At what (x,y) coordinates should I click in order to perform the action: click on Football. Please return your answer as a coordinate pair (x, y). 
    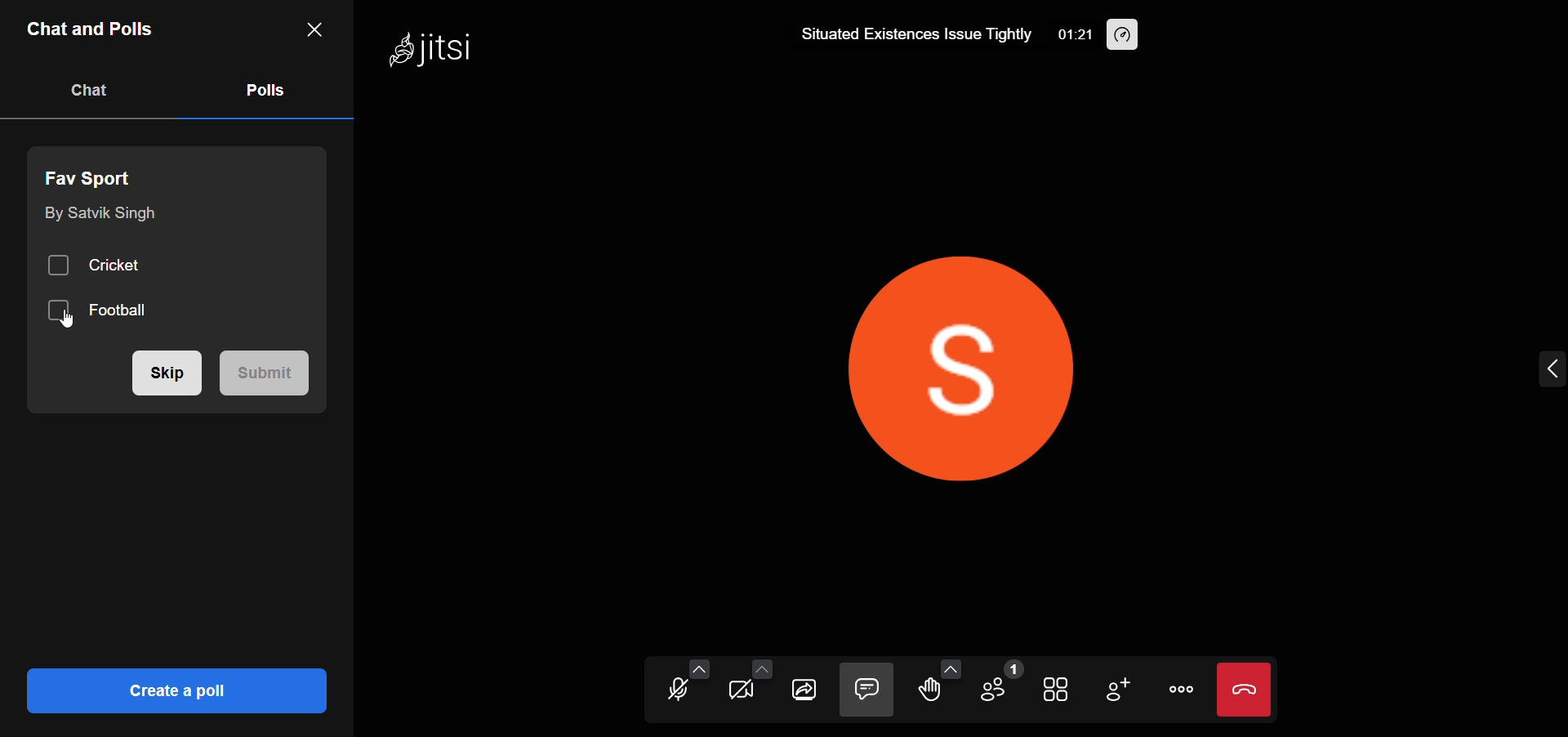
    Looking at the image, I should click on (107, 311).